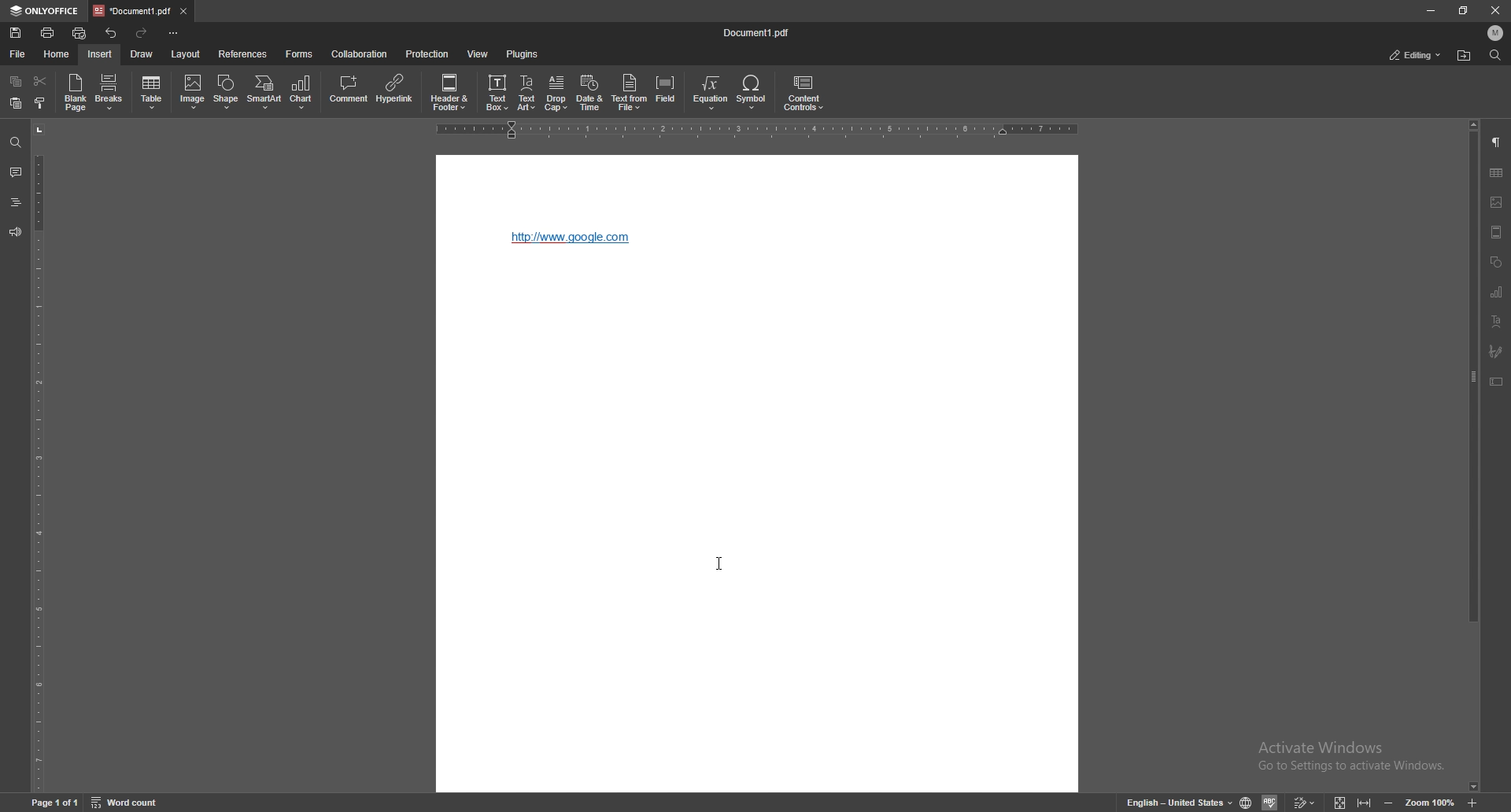 This screenshot has height=812, width=1511. Describe the element at coordinates (1495, 263) in the screenshot. I see `shapes` at that location.